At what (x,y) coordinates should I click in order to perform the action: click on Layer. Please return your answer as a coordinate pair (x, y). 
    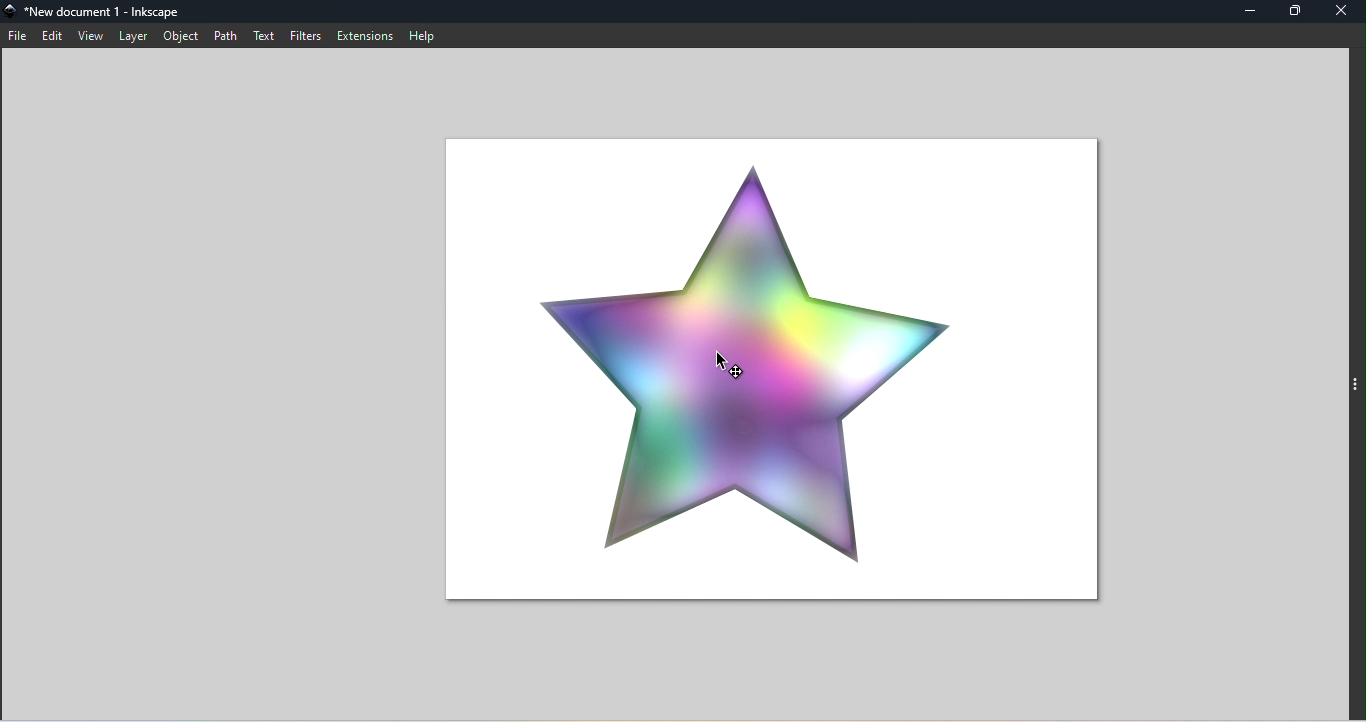
    Looking at the image, I should click on (132, 37).